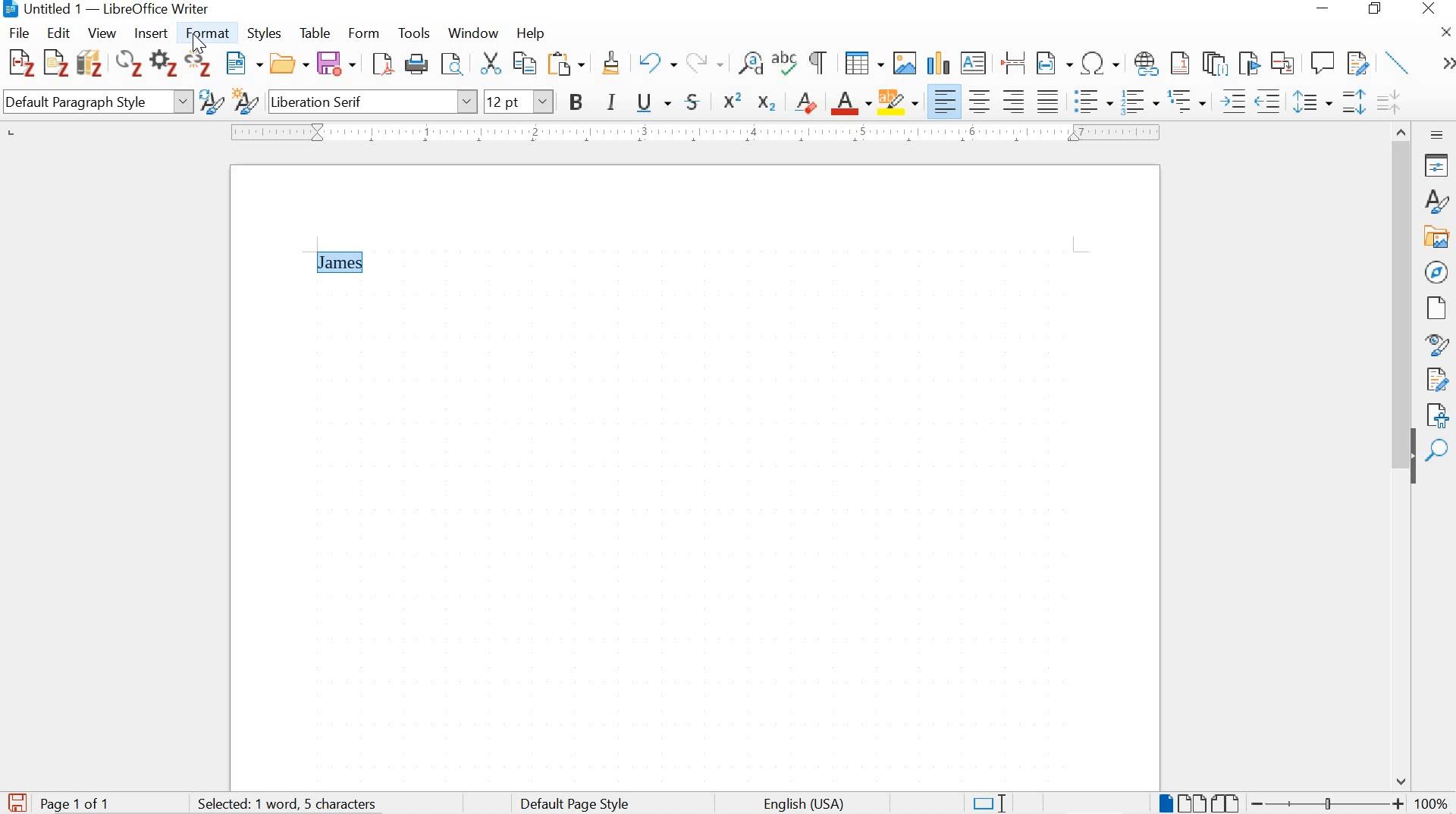  I want to click on open, so click(290, 64).